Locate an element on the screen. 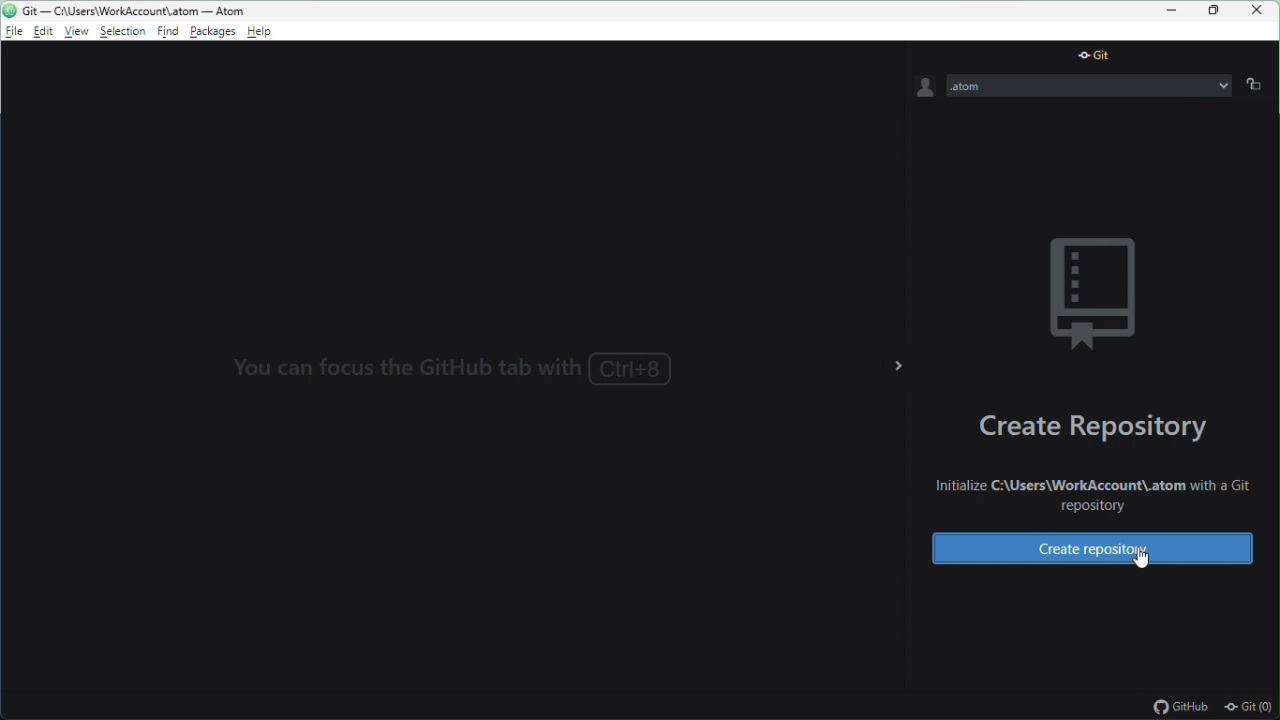 The width and height of the screenshot is (1280, 720). > is located at coordinates (899, 369).